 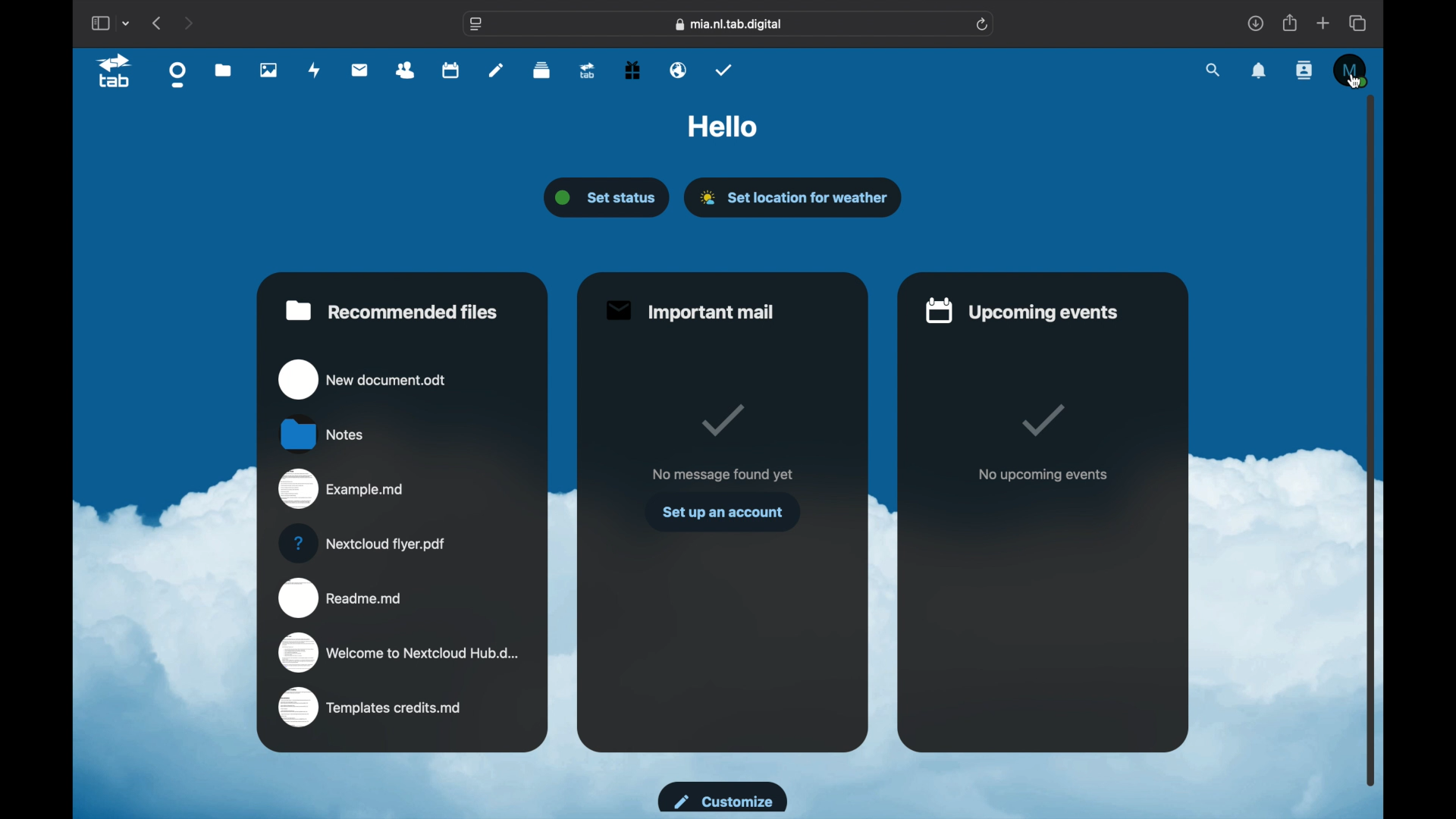 What do you see at coordinates (1043, 421) in the screenshot?
I see `tik mark` at bounding box center [1043, 421].